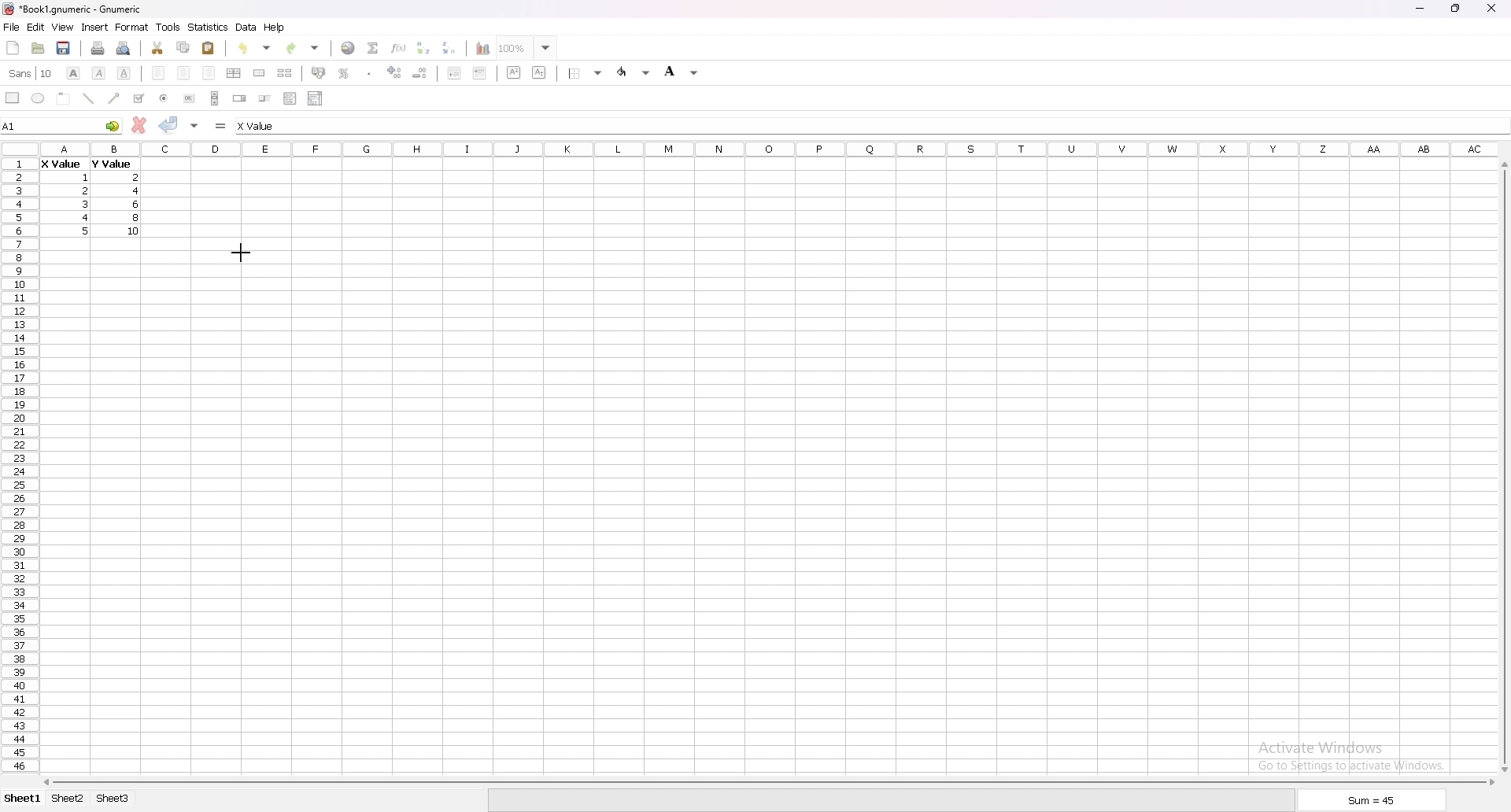  Describe the element at coordinates (290, 98) in the screenshot. I see `list` at that location.